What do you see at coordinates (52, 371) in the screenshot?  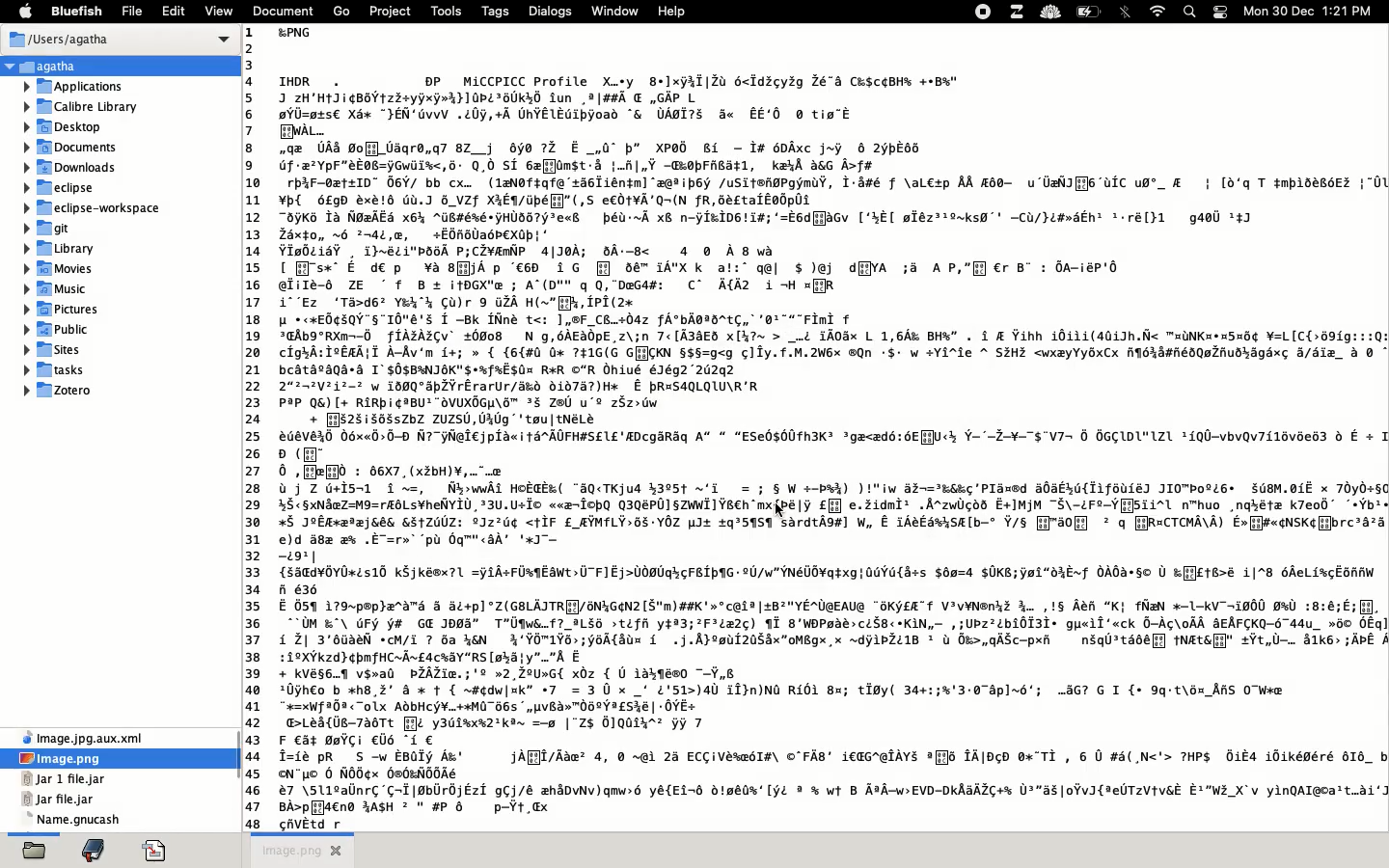 I see `tasks` at bounding box center [52, 371].